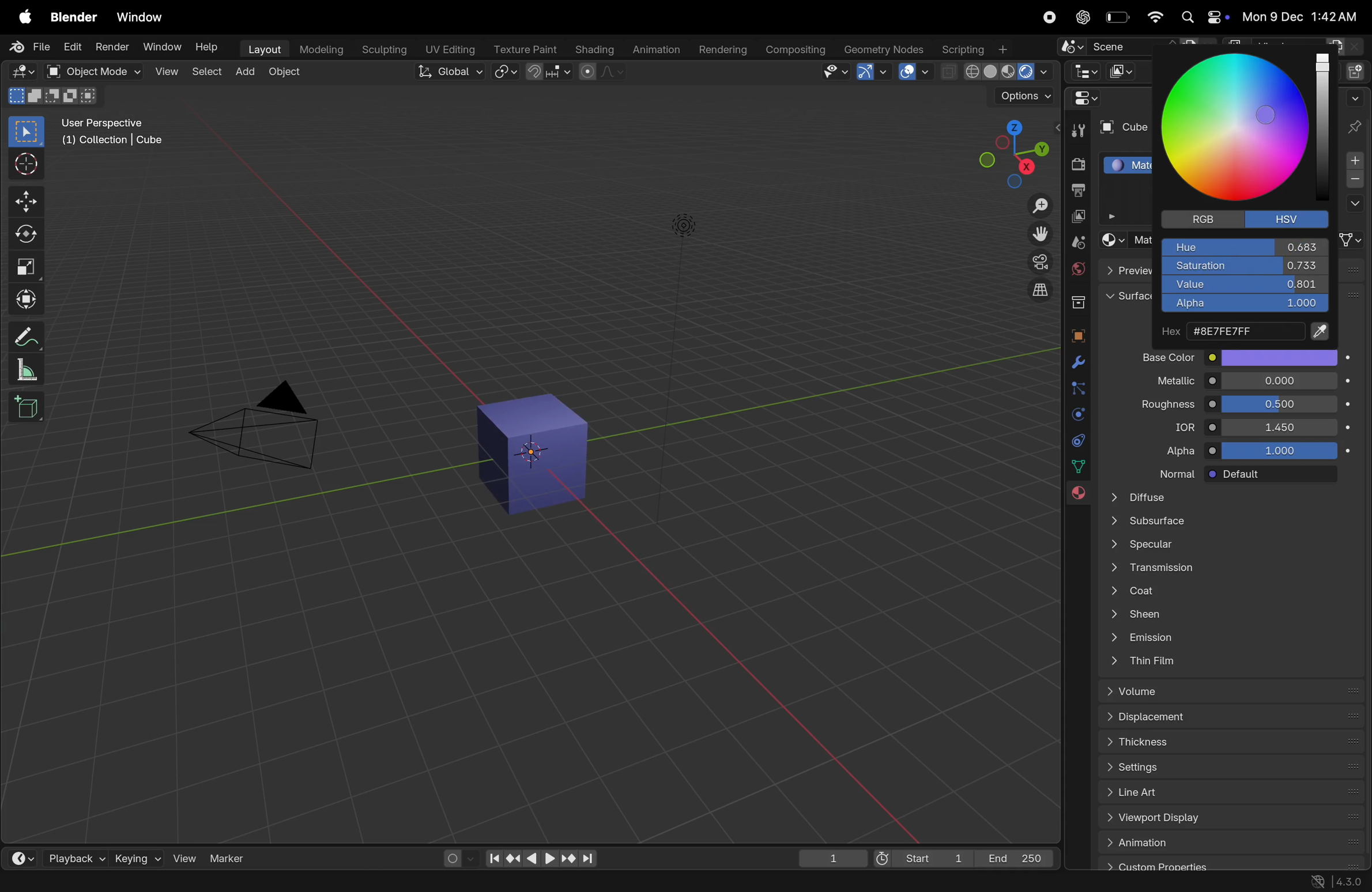 The height and width of the screenshot is (892, 1372). Describe the element at coordinates (1076, 218) in the screenshot. I see `view layer` at that location.